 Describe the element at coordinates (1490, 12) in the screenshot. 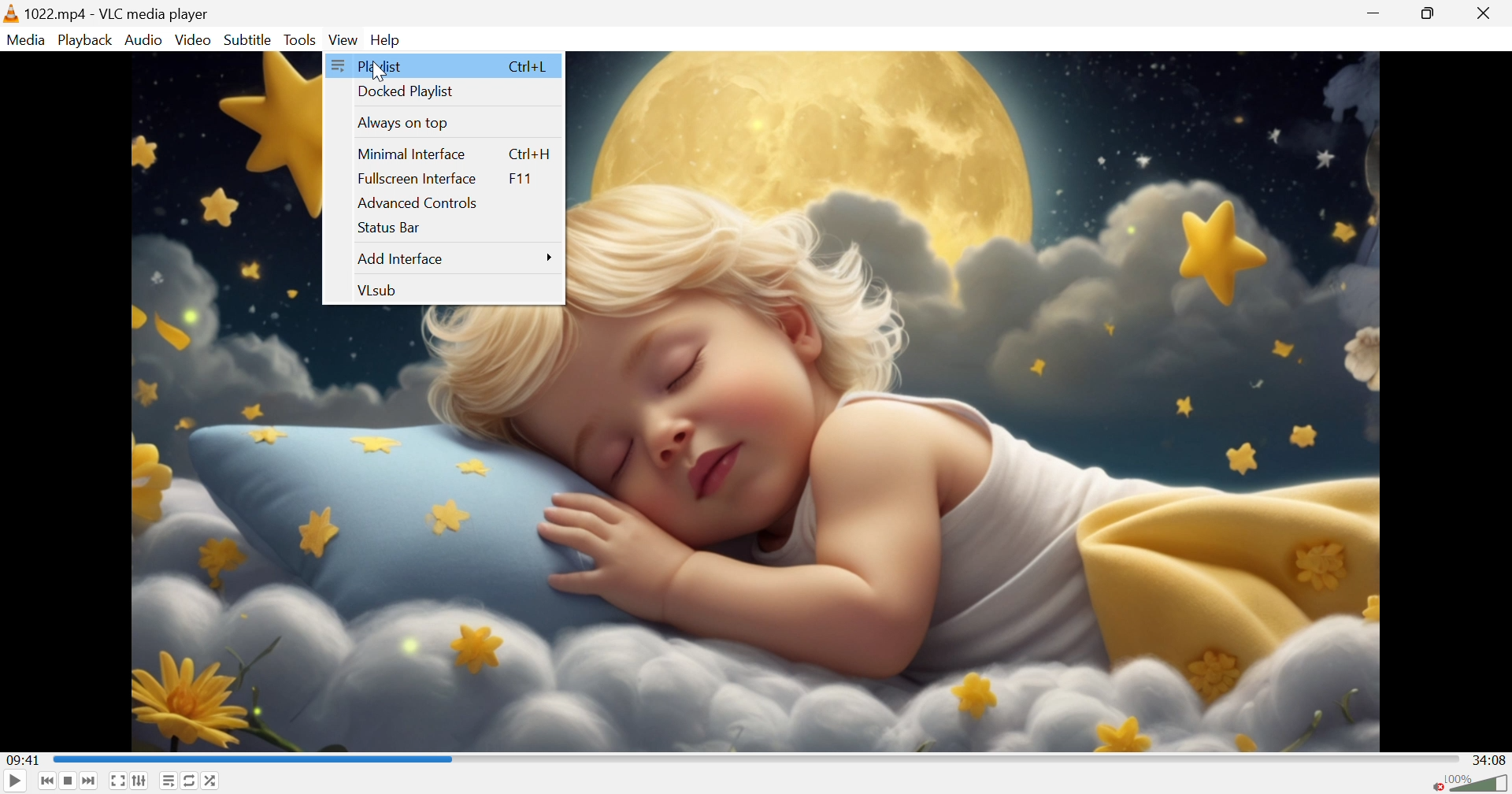

I see `Close` at that location.